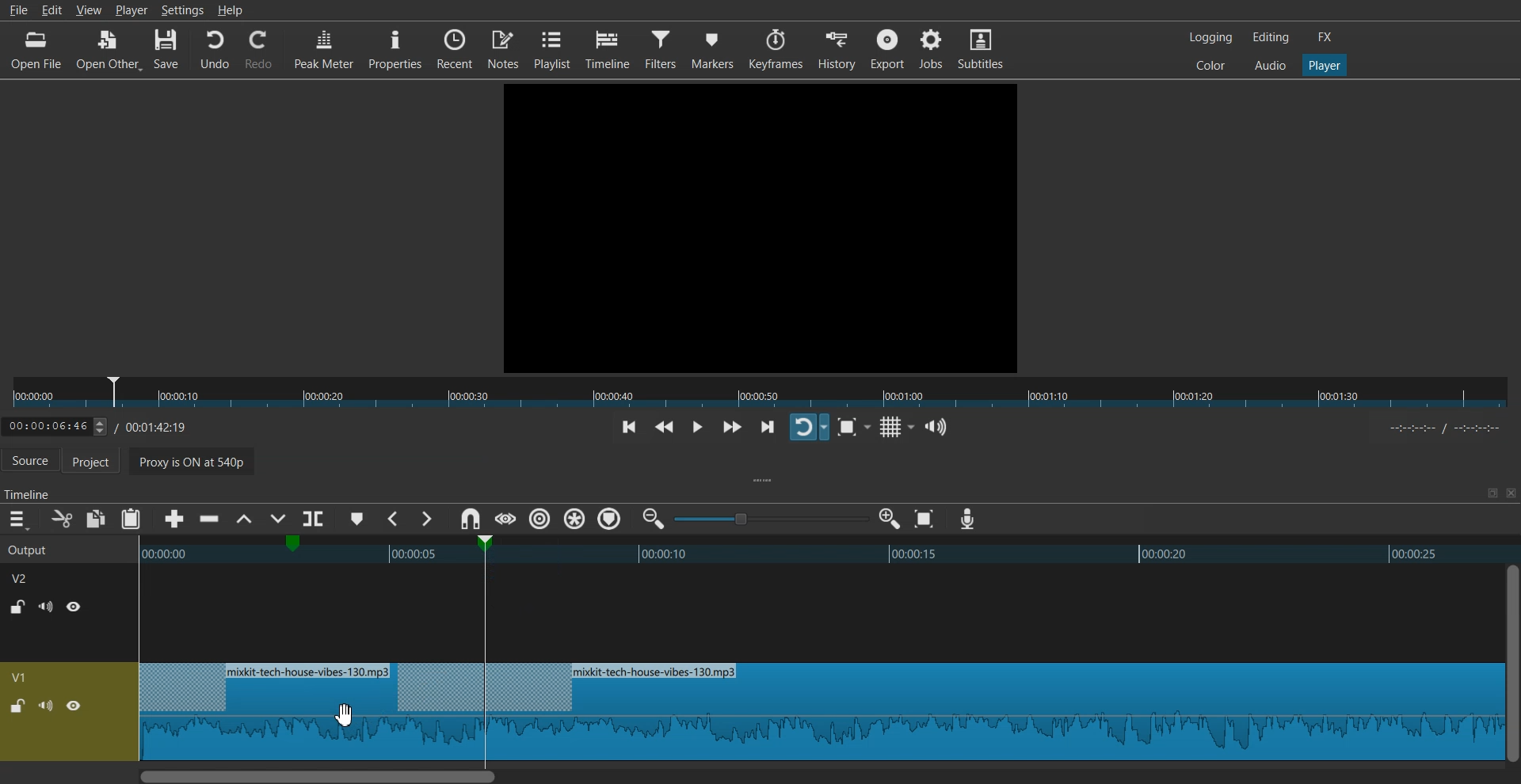 This screenshot has width=1521, height=784. What do you see at coordinates (505, 519) in the screenshot?
I see `Scrub while dragging` at bounding box center [505, 519].